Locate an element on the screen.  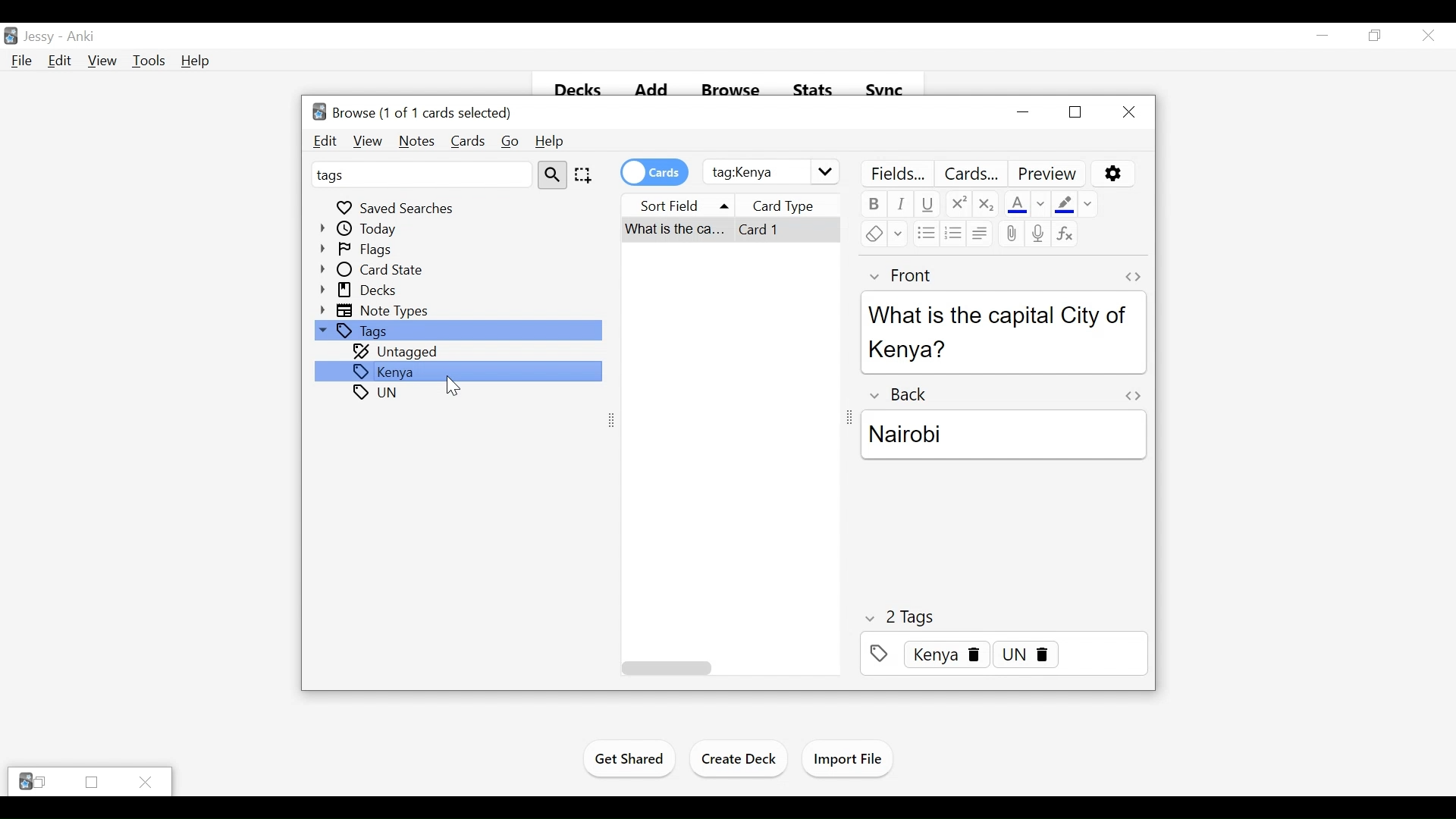
Search Tool is located at coordinates (553, 174).